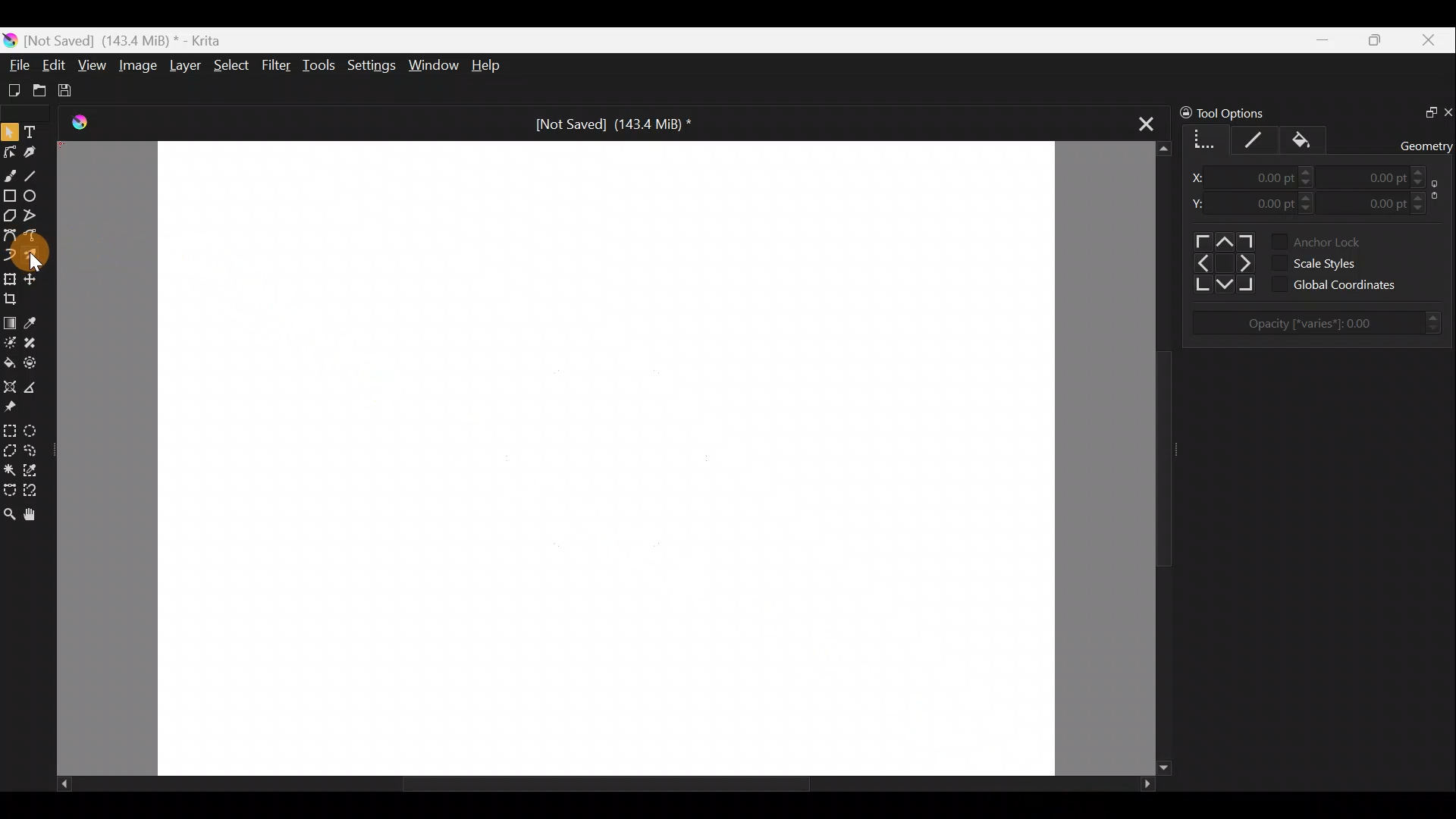  I want to click on Smart patch tool, so click(32, 342).